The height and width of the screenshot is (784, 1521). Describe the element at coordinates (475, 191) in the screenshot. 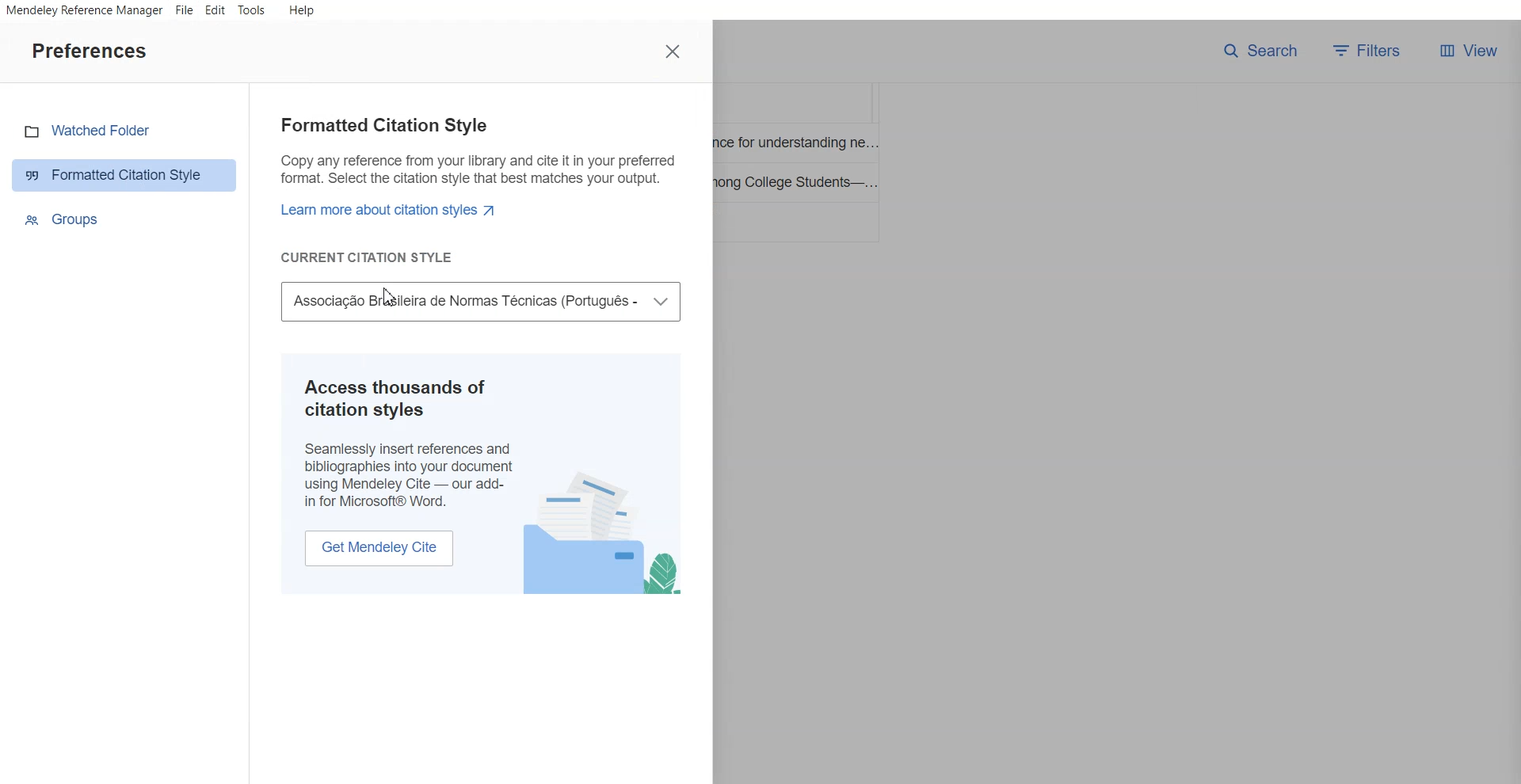

I see `Formatted Citation Style Text` at that location.